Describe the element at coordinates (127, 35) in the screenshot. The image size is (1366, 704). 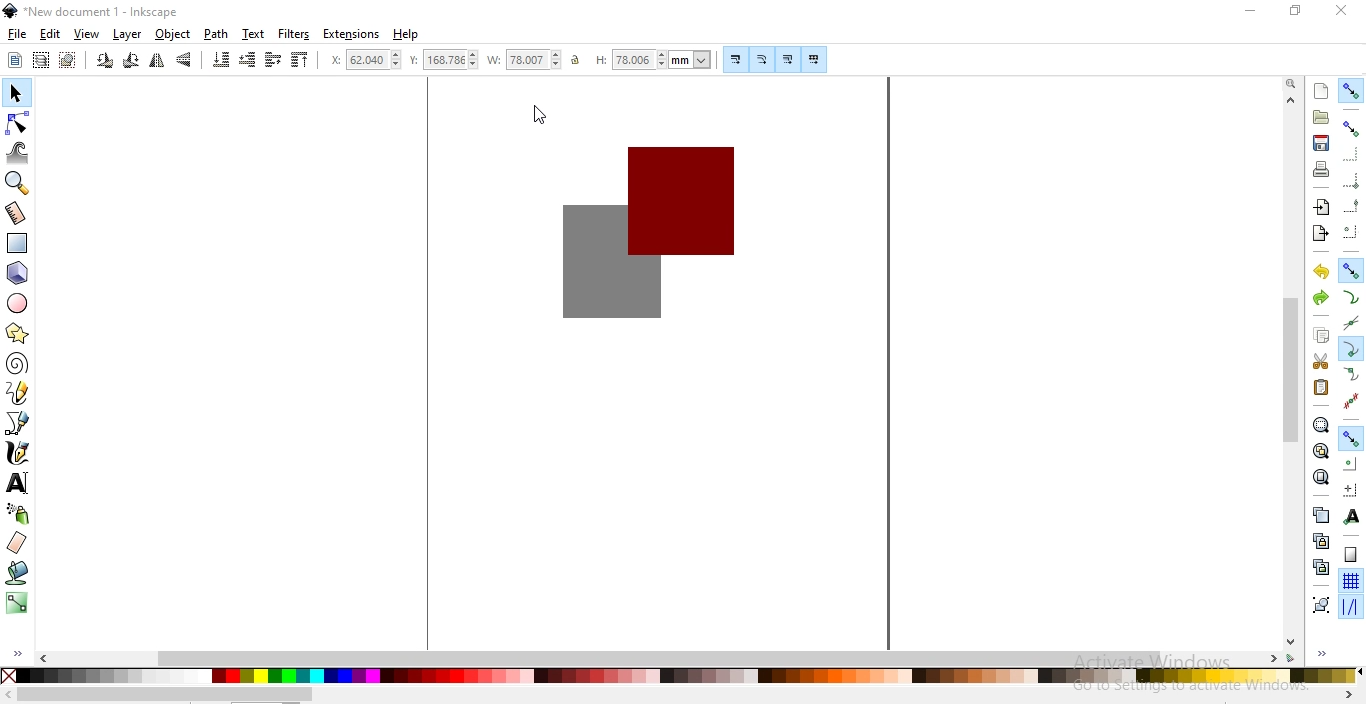
I see `layer` at that location.